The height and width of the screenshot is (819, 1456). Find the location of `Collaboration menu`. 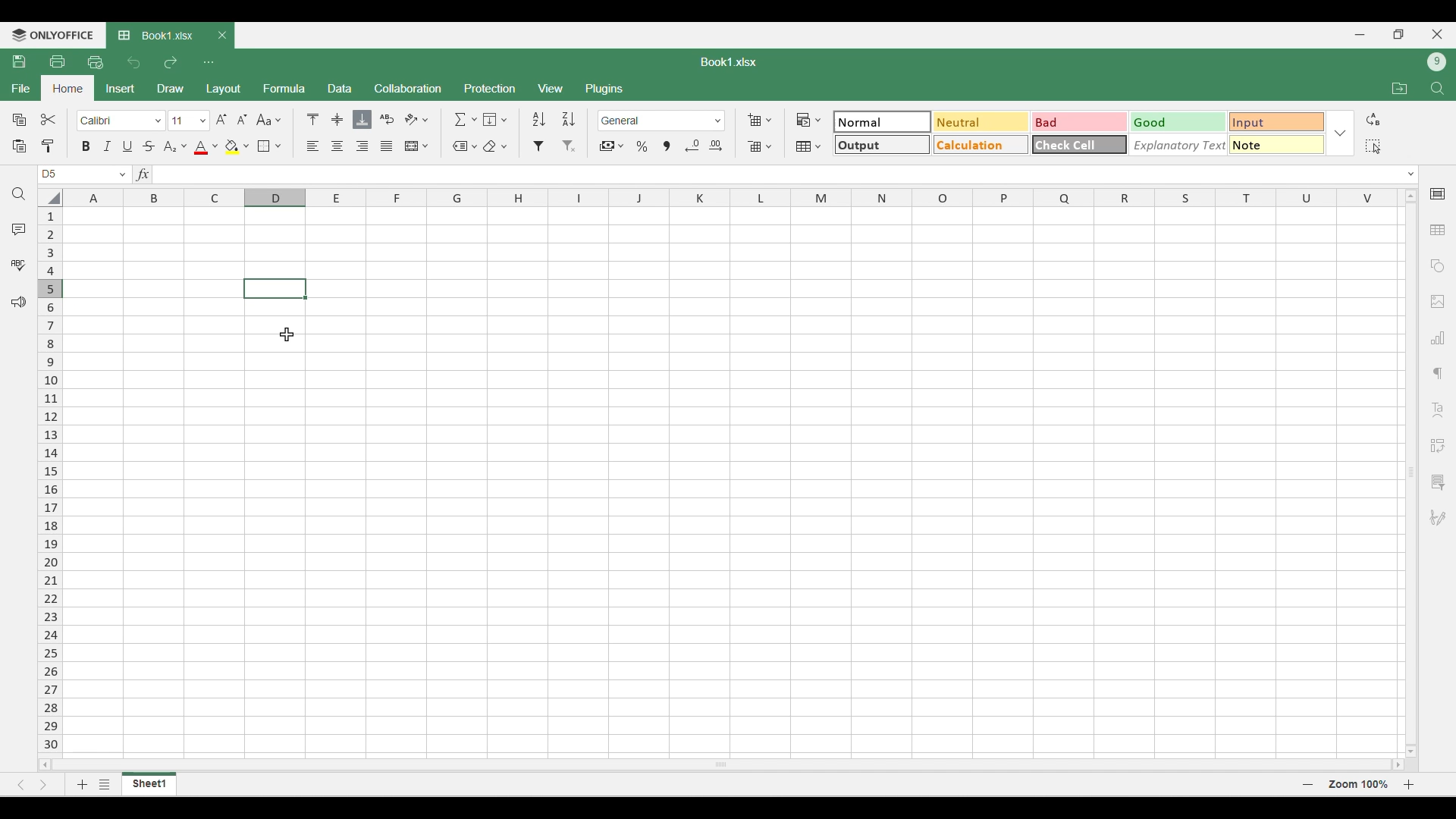

Collaboration menu is located at coordinates (409, 88).